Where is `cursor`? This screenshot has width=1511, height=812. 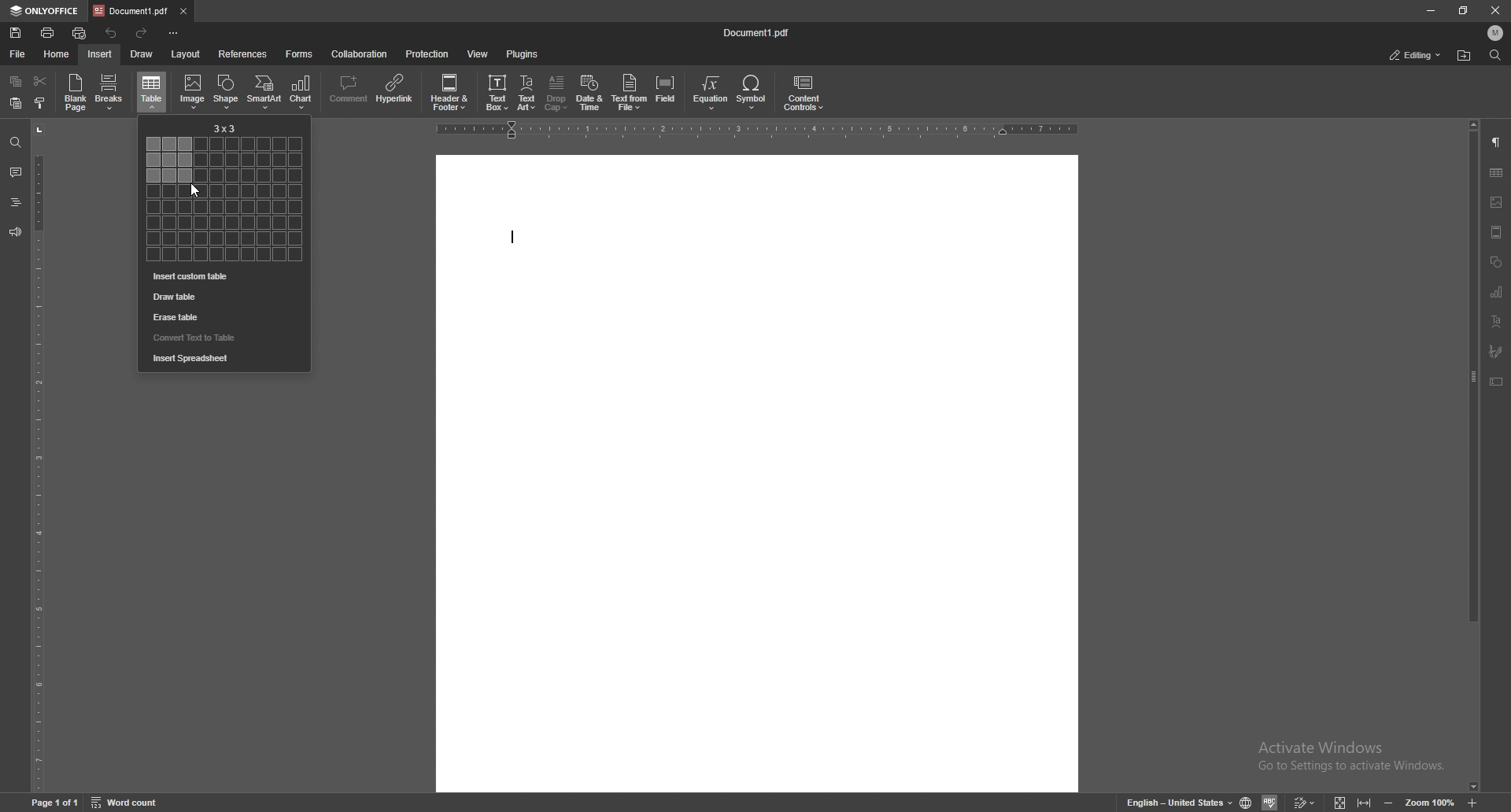
cursor is located at coordinates (194, 192).